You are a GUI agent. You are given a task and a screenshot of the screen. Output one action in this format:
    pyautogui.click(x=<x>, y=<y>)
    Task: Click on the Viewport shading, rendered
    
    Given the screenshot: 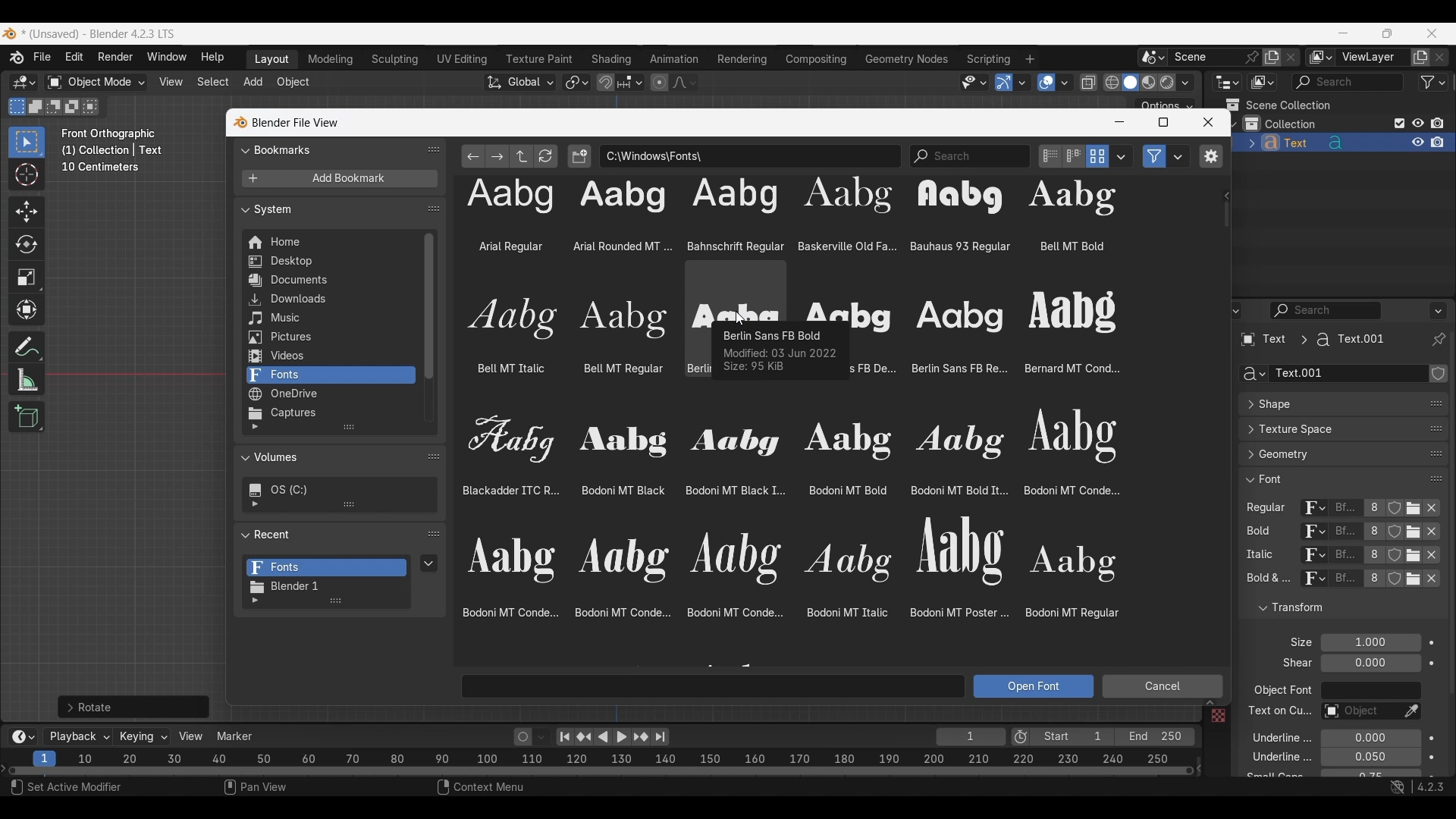 What is the action you would take?
    pyautogui.click(x=1166, y=82)
    